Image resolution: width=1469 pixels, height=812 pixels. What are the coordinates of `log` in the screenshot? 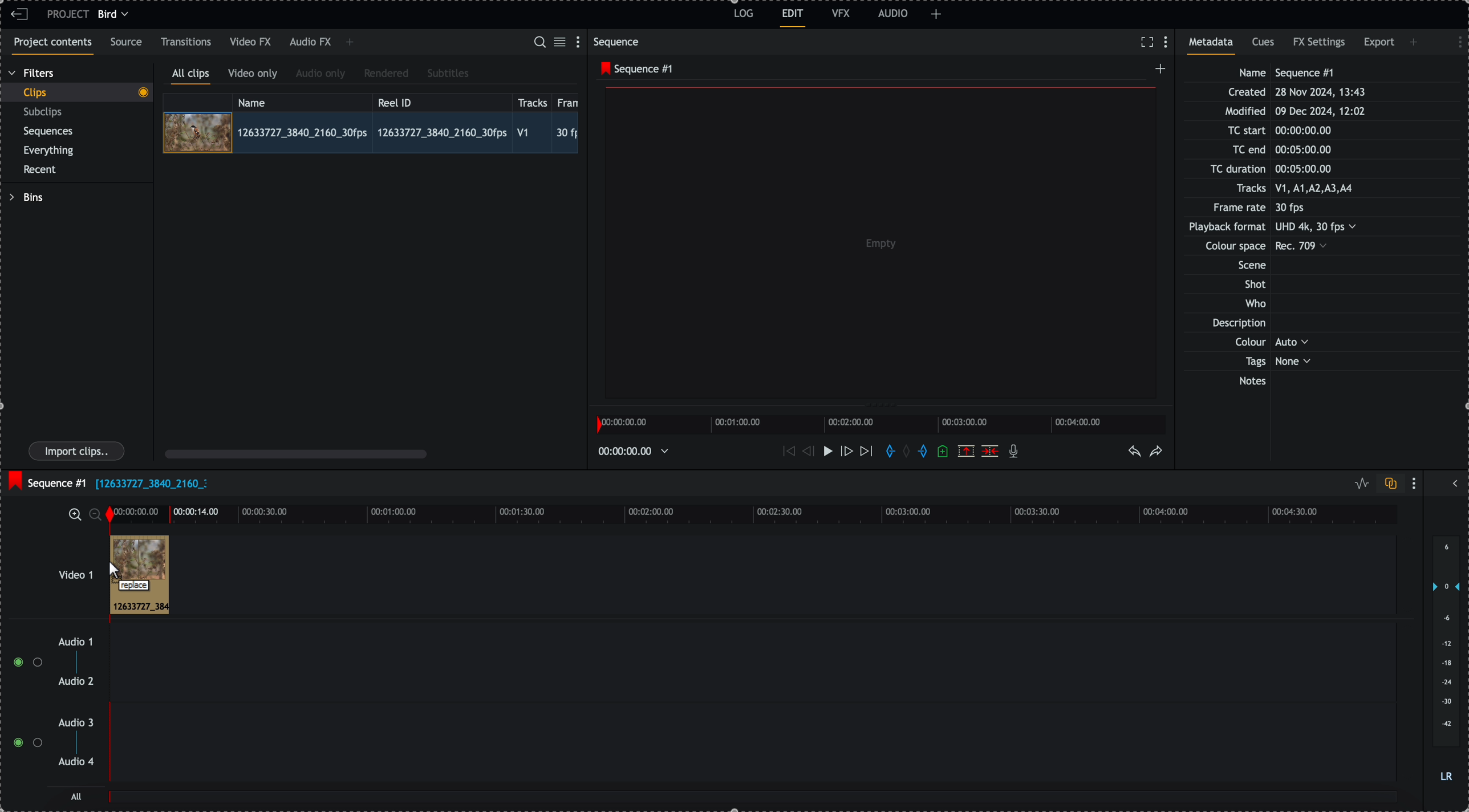 It's located at (742, 15).